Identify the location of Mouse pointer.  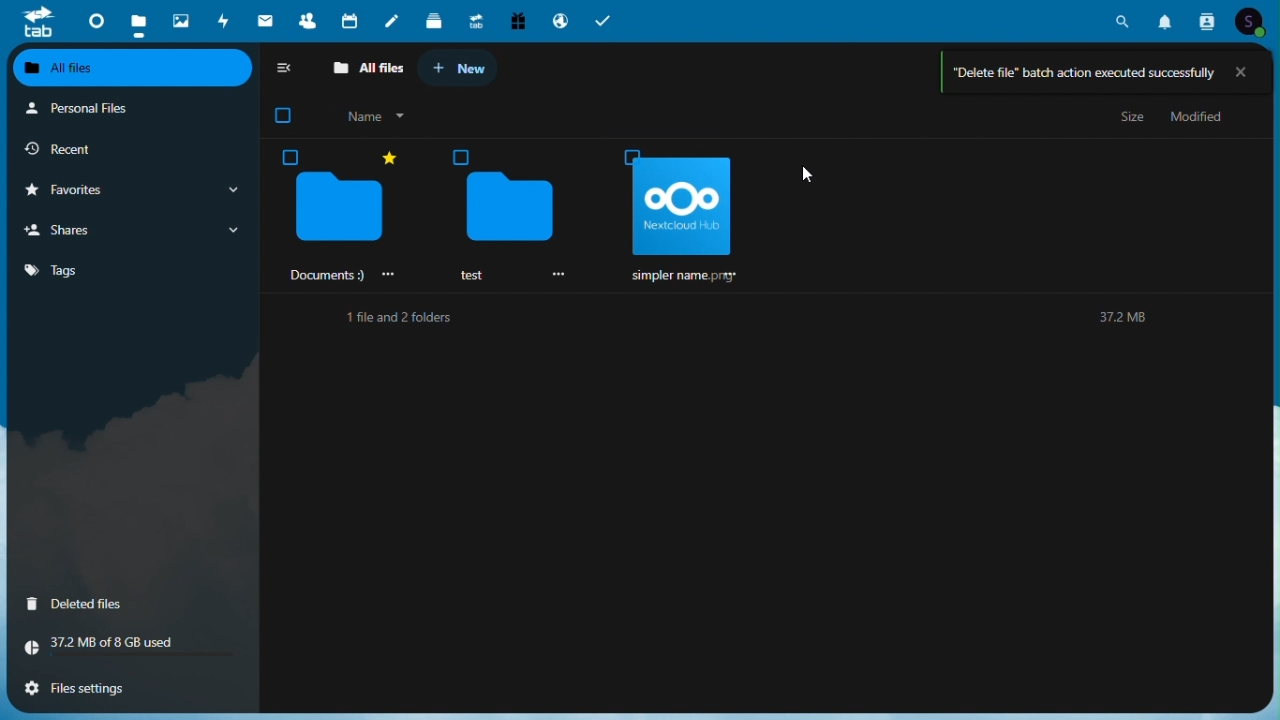
(812, 175).